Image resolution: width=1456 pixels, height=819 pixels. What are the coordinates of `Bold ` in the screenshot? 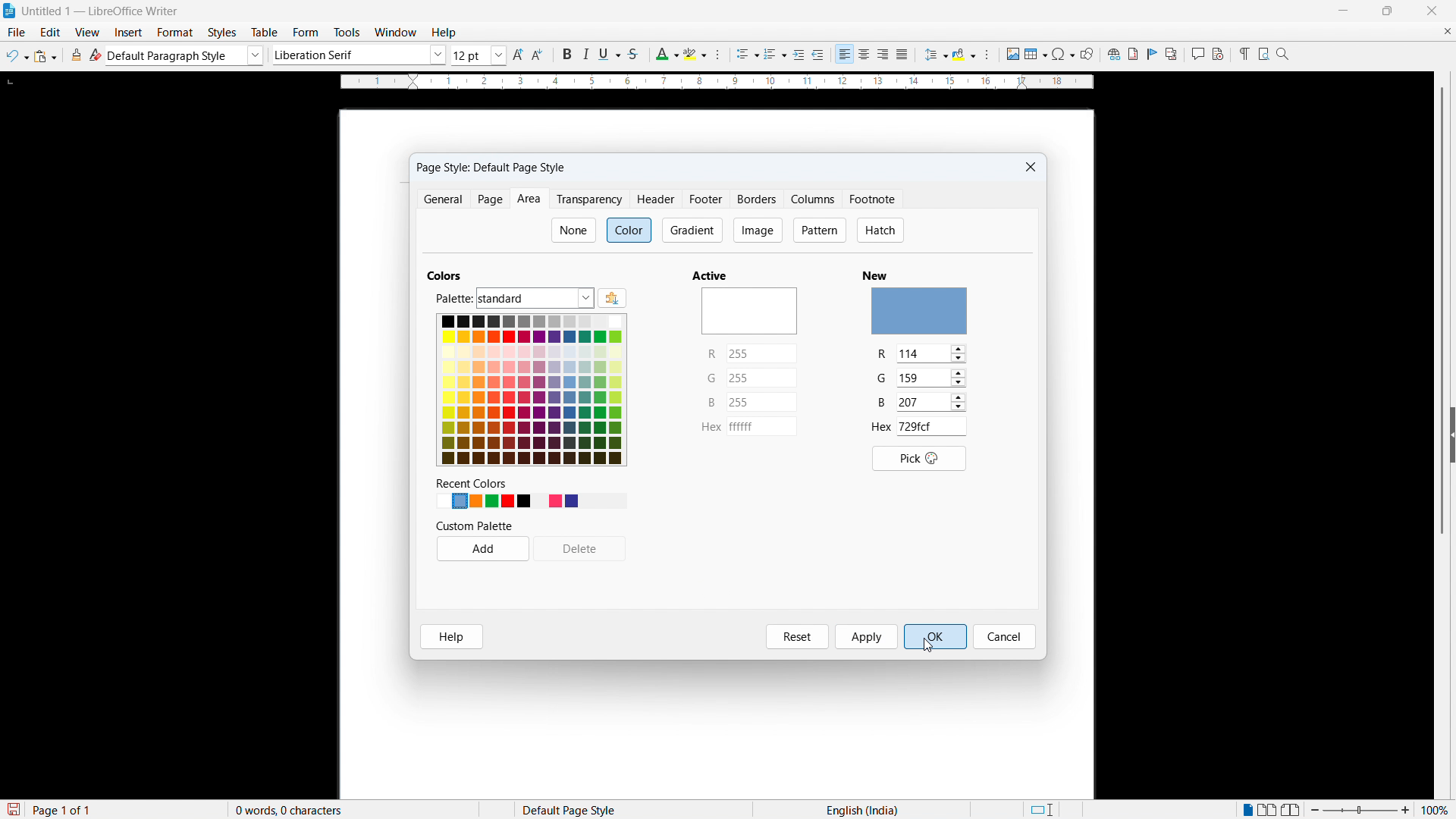 It's located at (565, 54).